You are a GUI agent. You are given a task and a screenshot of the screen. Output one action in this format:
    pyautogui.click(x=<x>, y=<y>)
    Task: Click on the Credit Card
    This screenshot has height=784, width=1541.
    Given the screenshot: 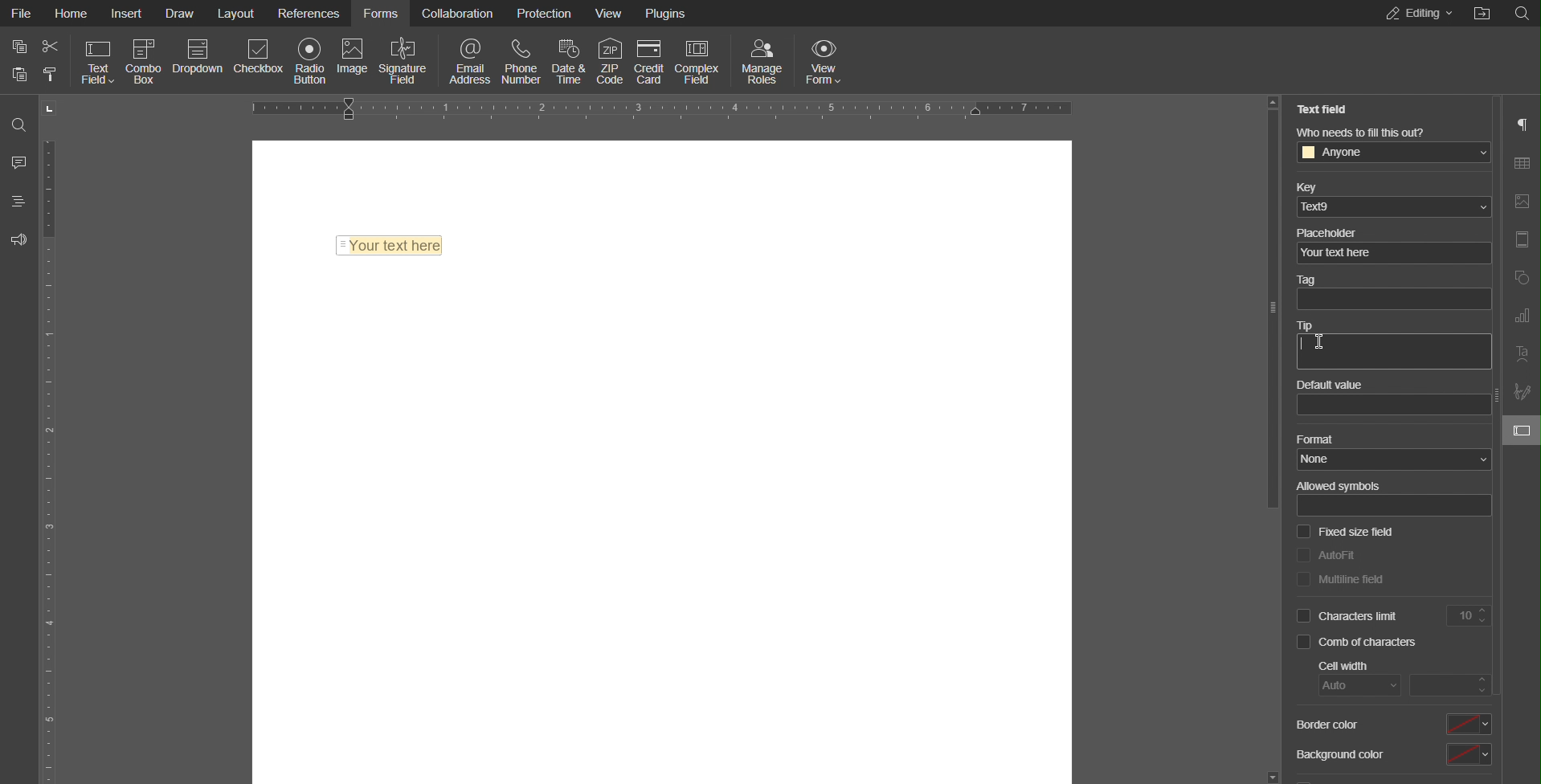 What is the action you would take?
    pyautogui.click(x=650, y=59)
    